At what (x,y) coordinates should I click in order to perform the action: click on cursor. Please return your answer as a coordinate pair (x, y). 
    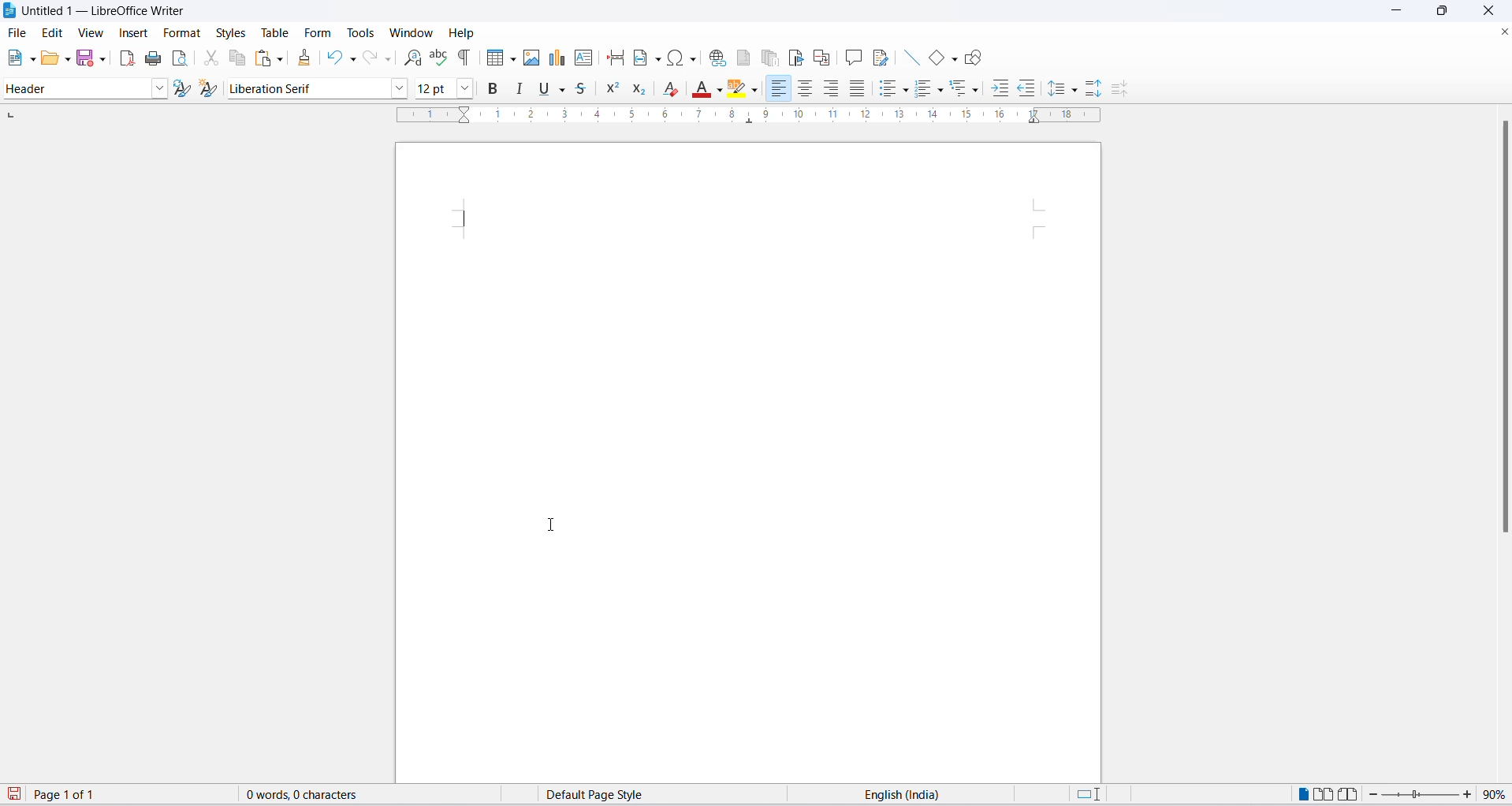
    Looking at the image, I should click on (557, 525).